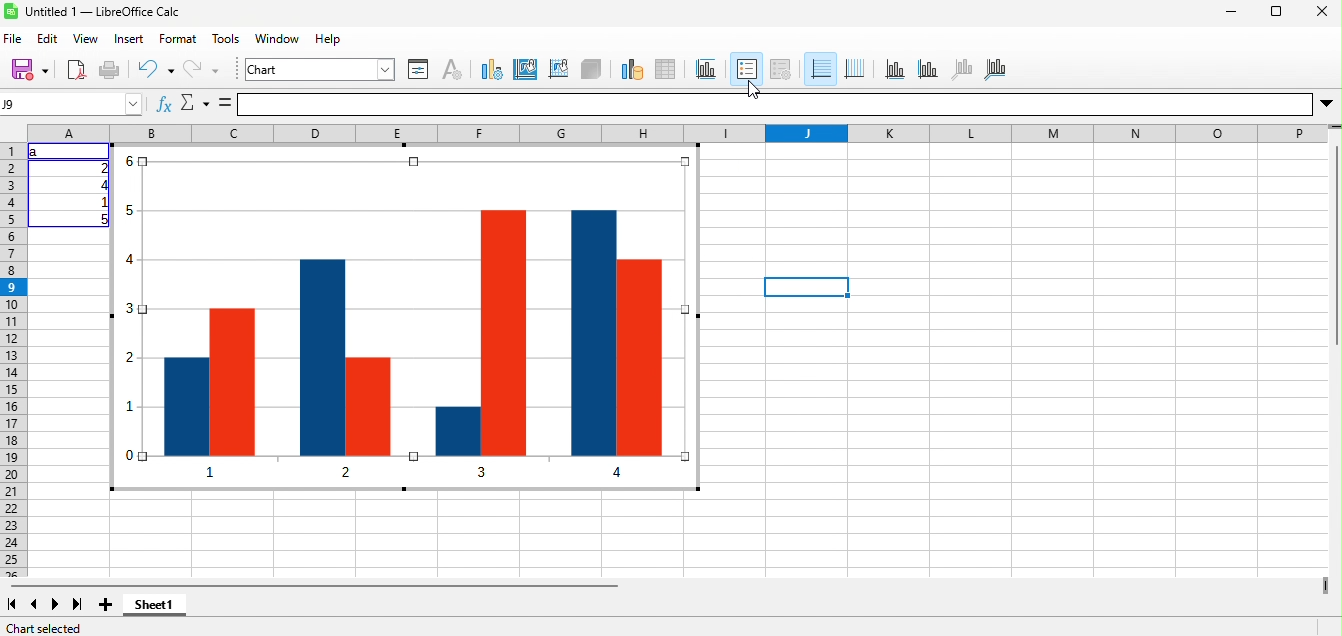 The image size is (1342, 636). What do you see at coordinates (103, 219) in the screenshot?
I see `5` at bounding box center [103, 219].